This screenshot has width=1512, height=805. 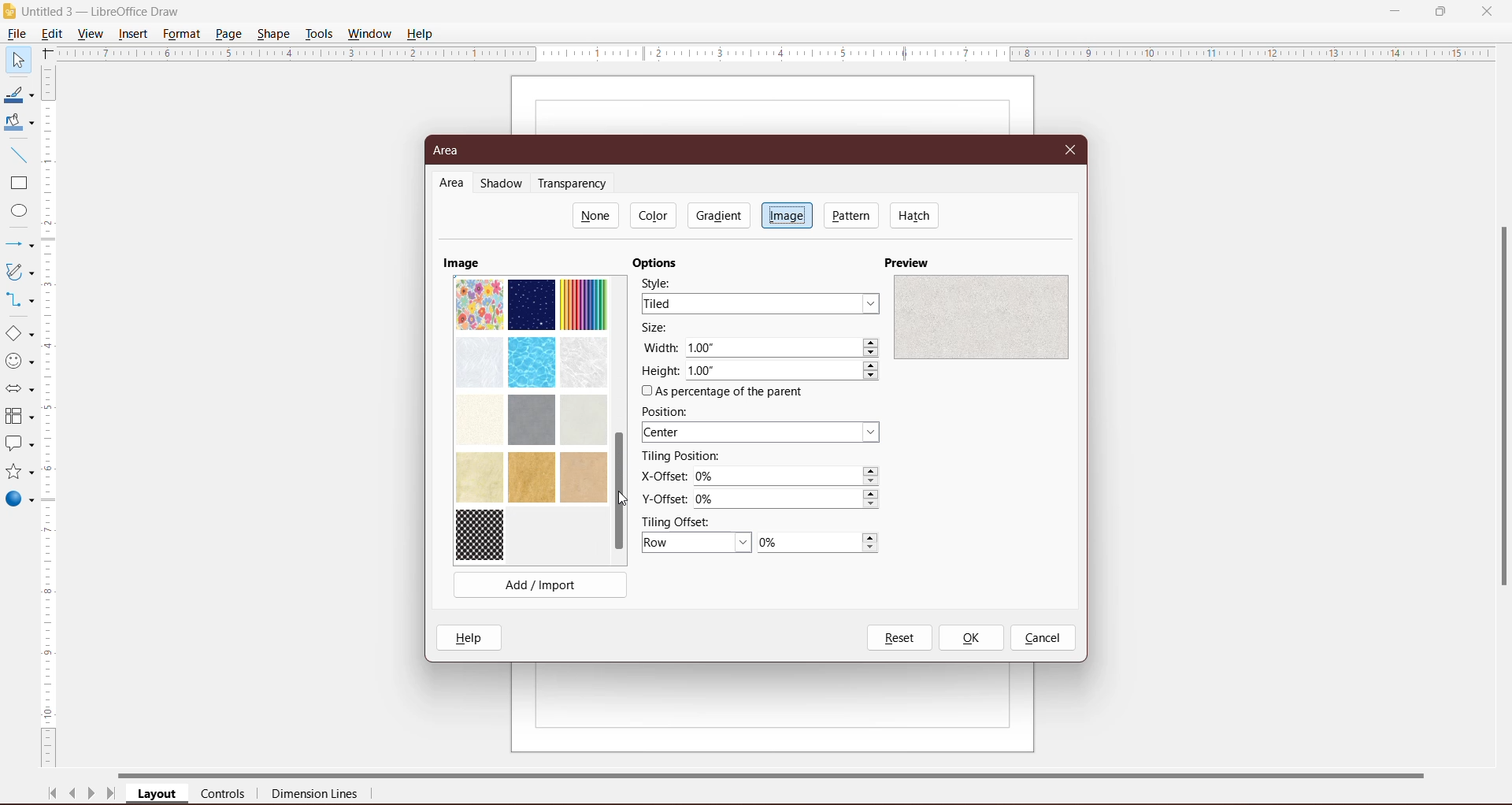 I want to click on Minimize, so click(x=1396, y=9).